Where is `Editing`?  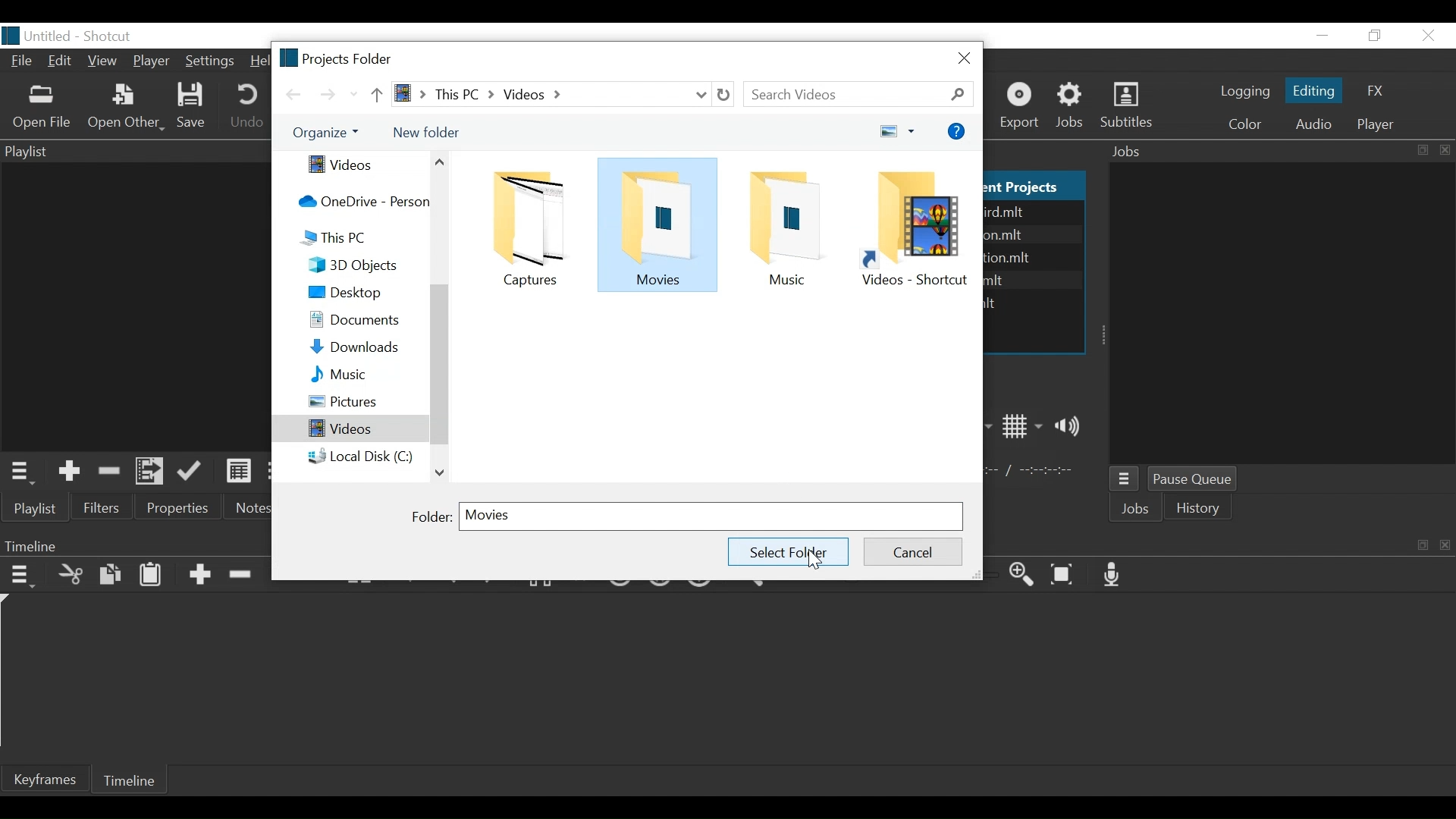 Editing is located at coordinates (1312, 89).